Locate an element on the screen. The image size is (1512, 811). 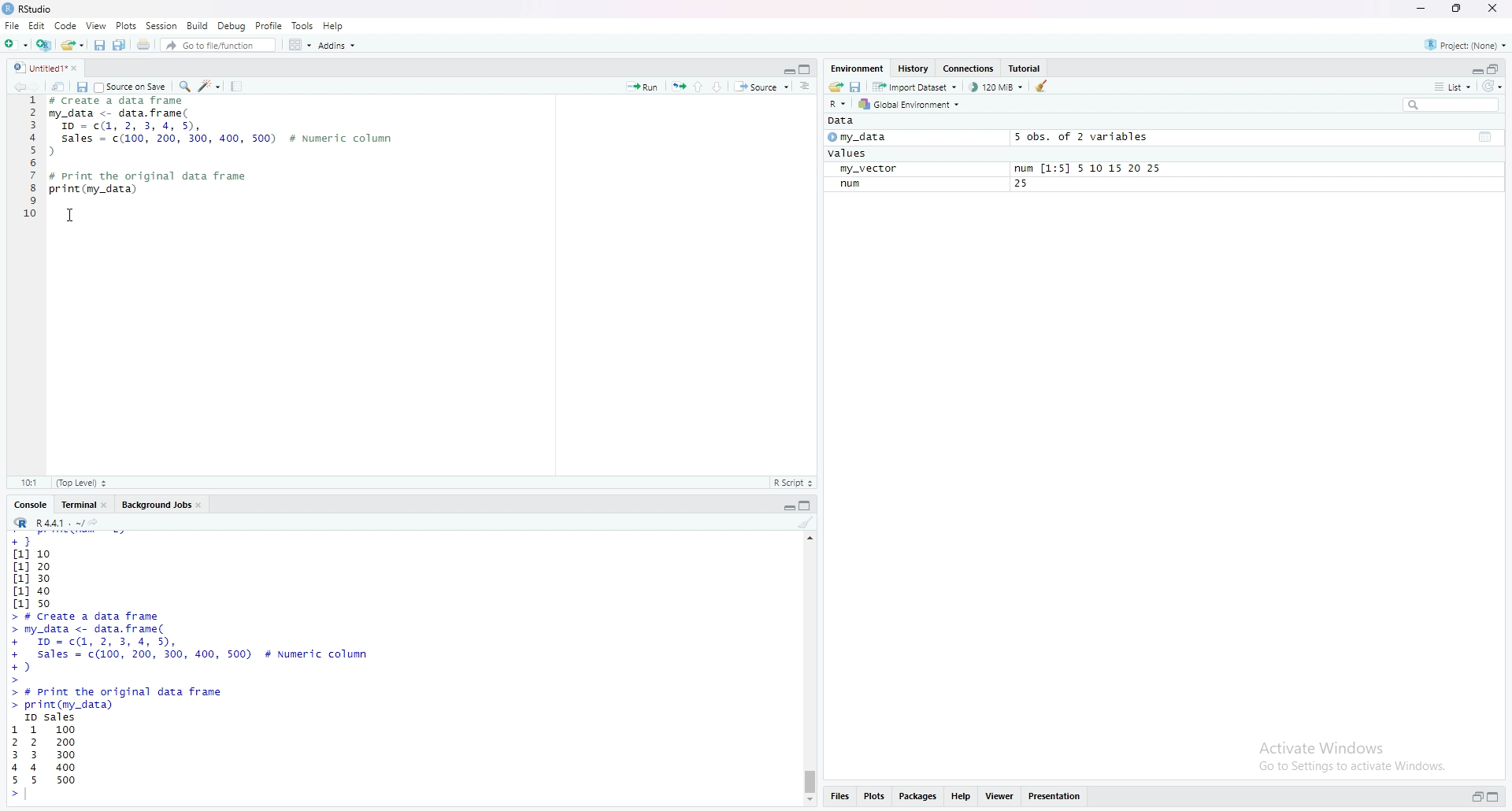
run the current line or selection is located at coordinates (642, 84).